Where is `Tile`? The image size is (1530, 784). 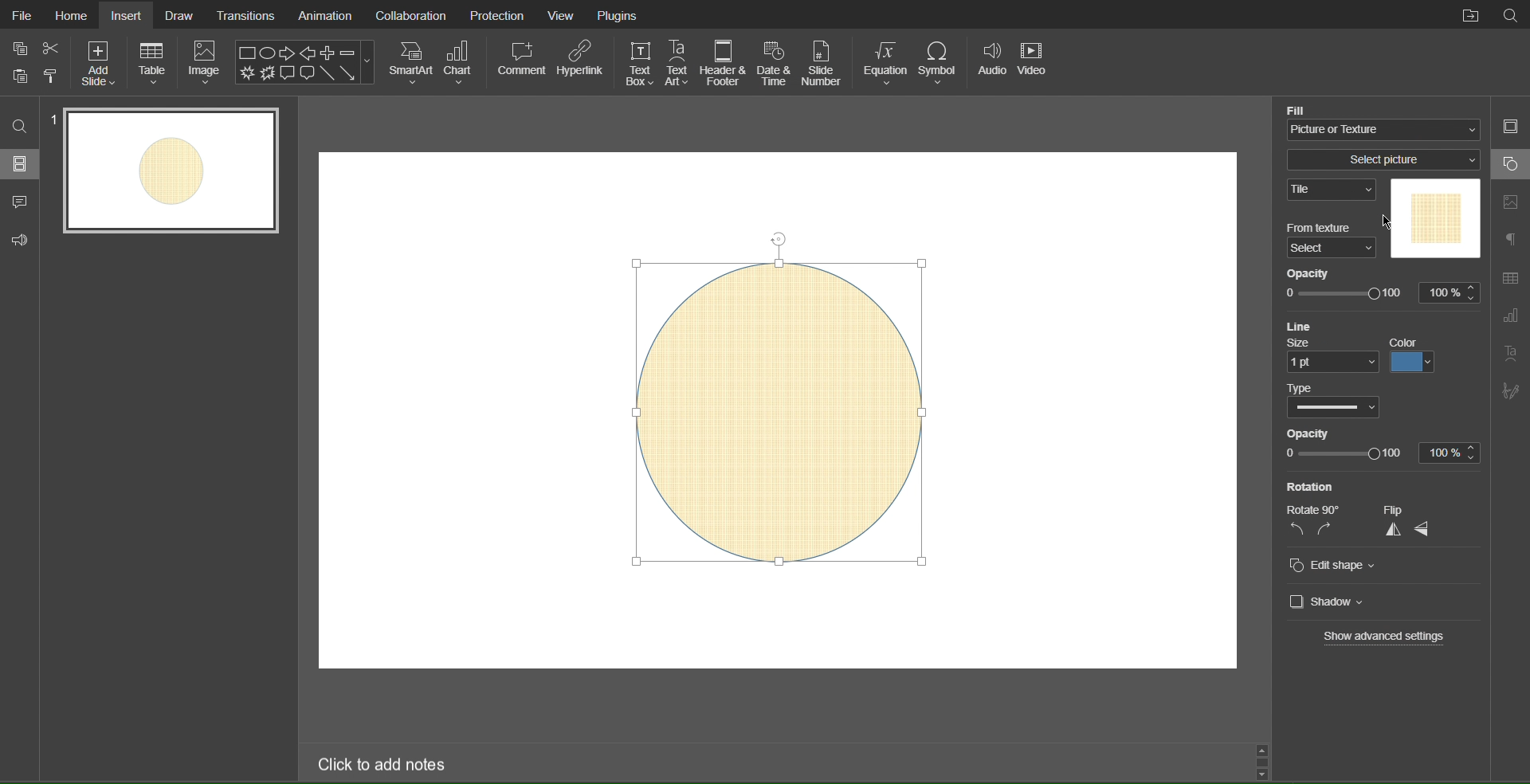
Tile is located at coordinates (1332, 190).